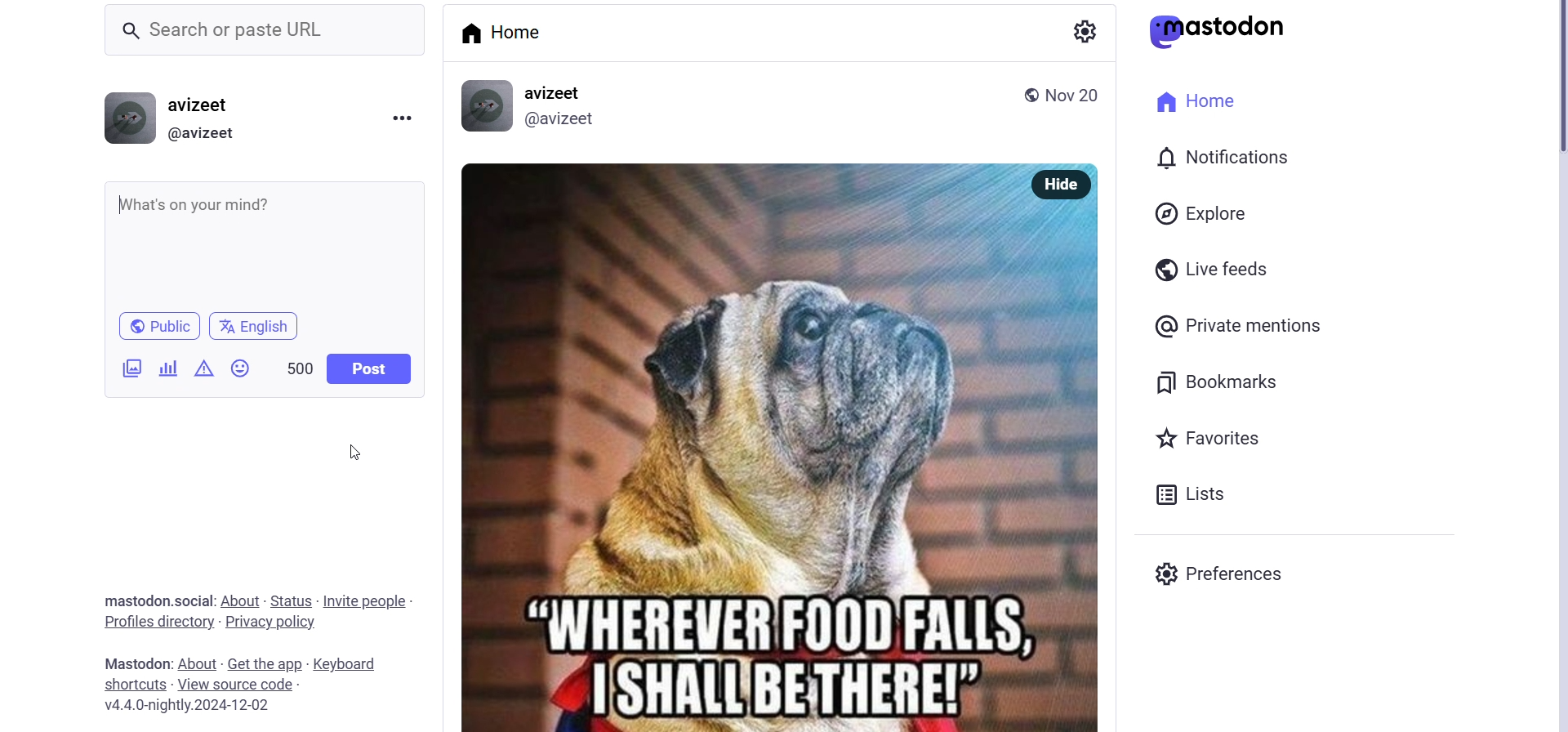 The image size is (1568, 732). Describe the element at coordinates (1240, 159) in the screenshot. I see `notification` at that location.